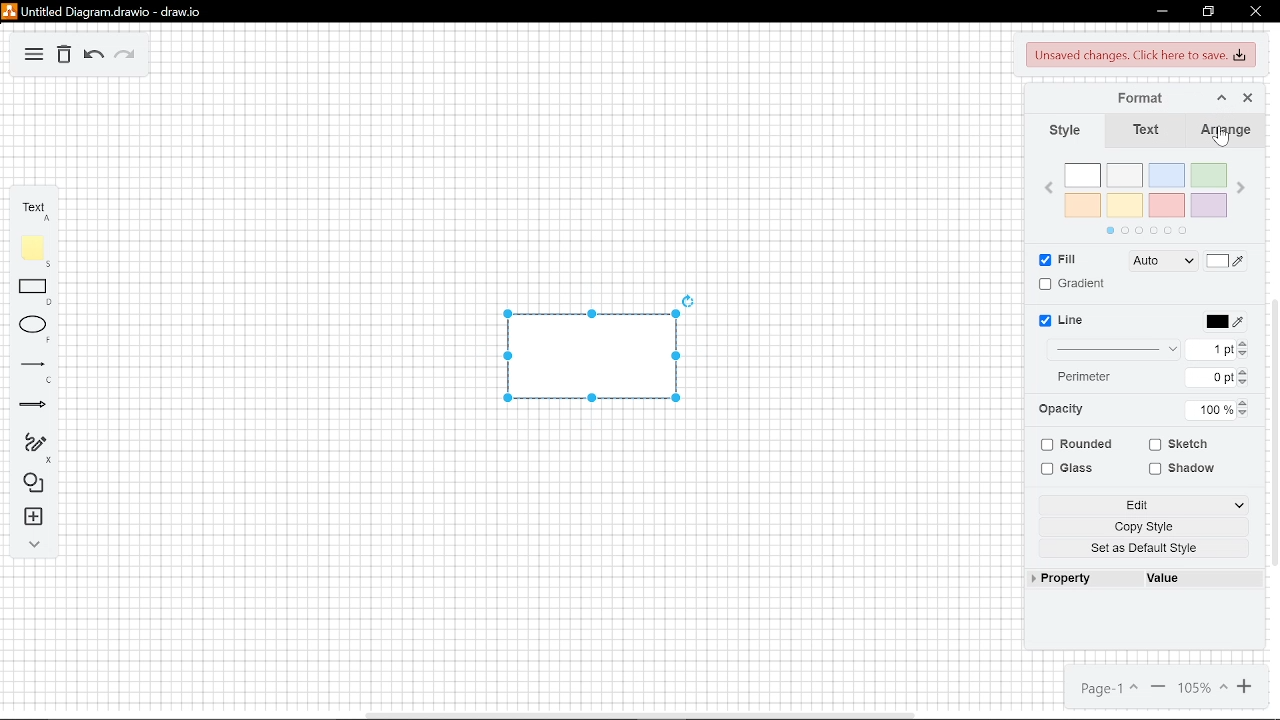  Describe the element at coordinates (36, 373) in the screenshot. I see `lines` at that location.